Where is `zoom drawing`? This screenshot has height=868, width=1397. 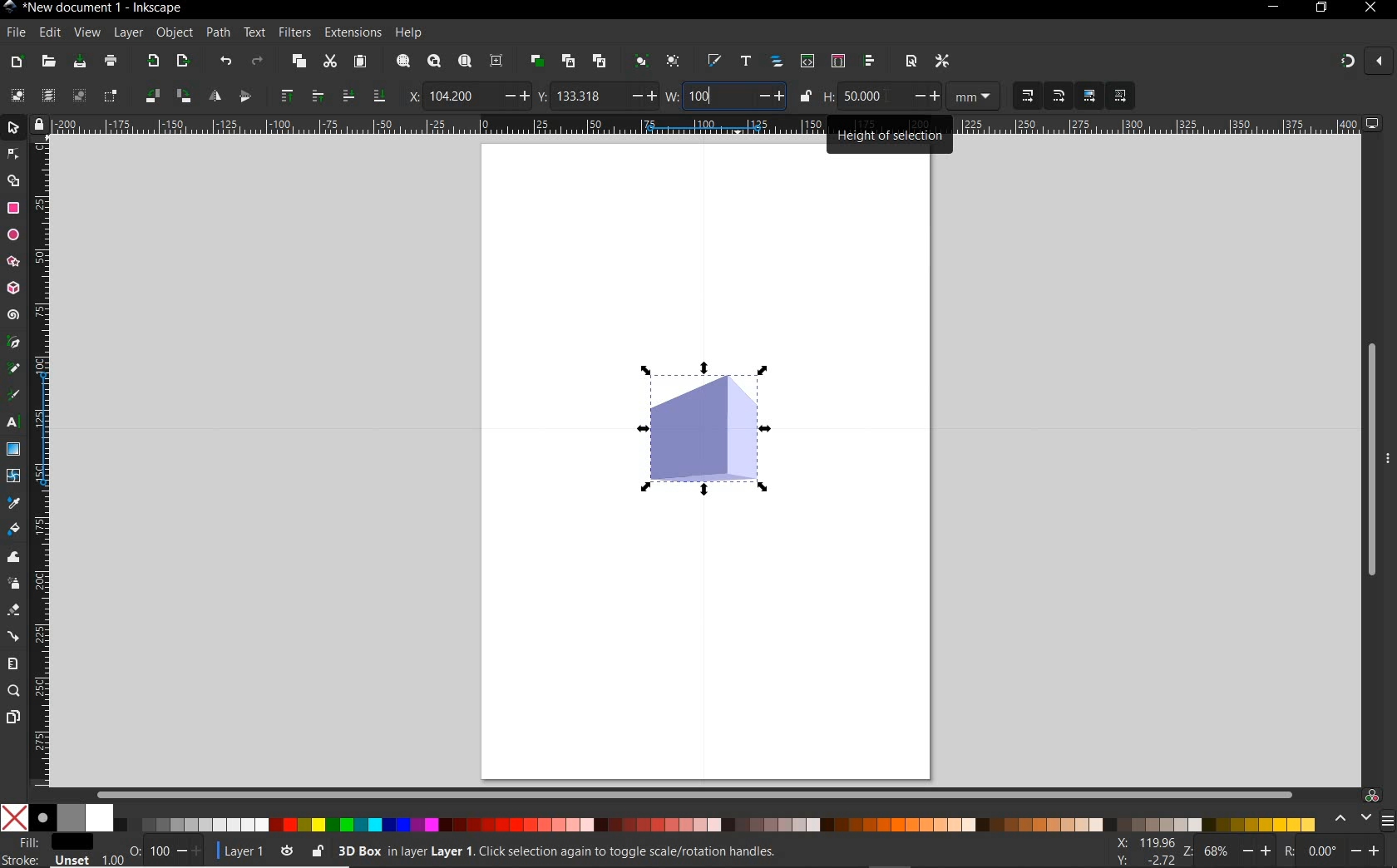 zoom drawing is located at coordinates (434, 60).